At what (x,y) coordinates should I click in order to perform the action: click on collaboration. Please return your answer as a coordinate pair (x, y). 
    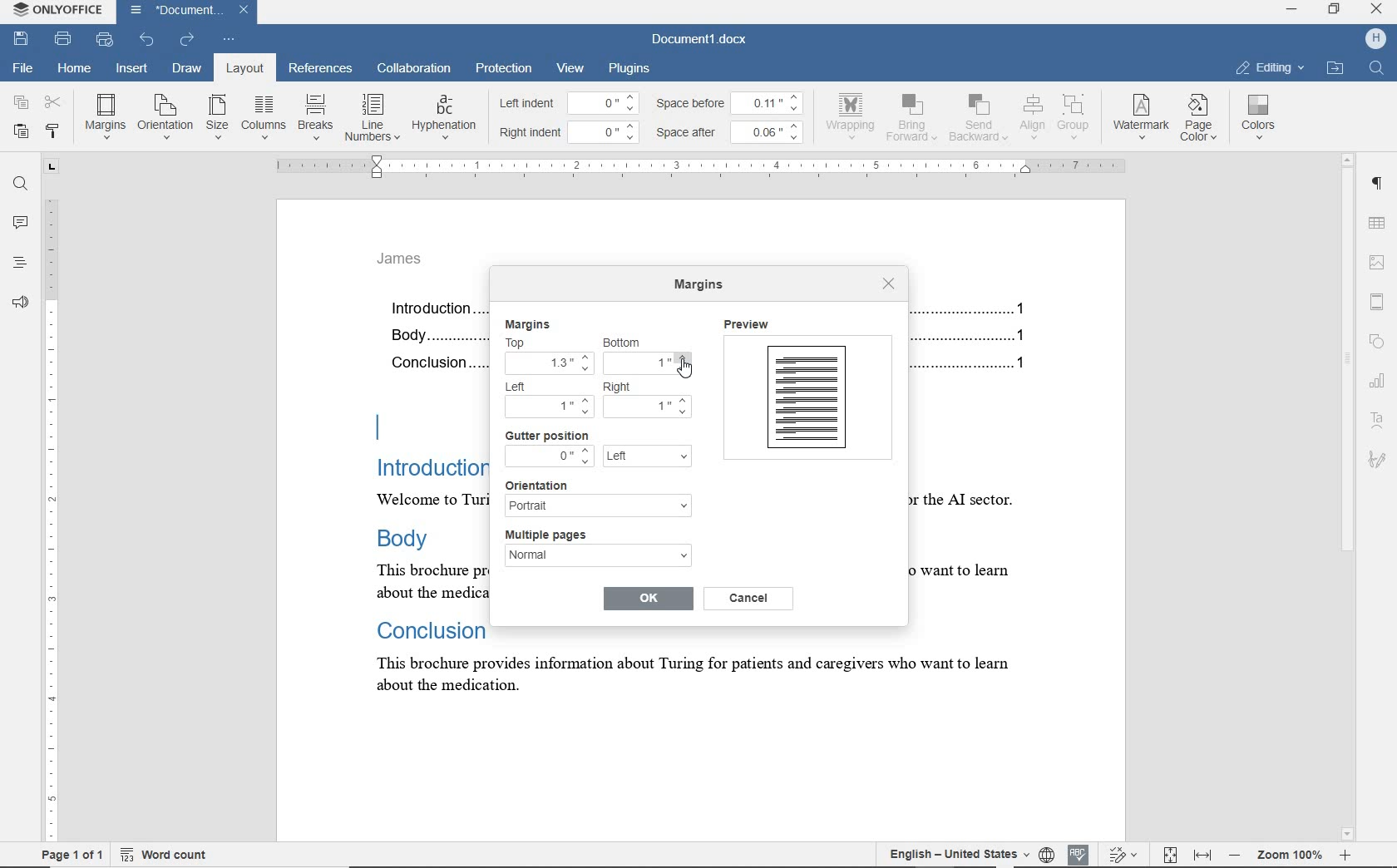
    Looking at the image, I should click on (415, 70).